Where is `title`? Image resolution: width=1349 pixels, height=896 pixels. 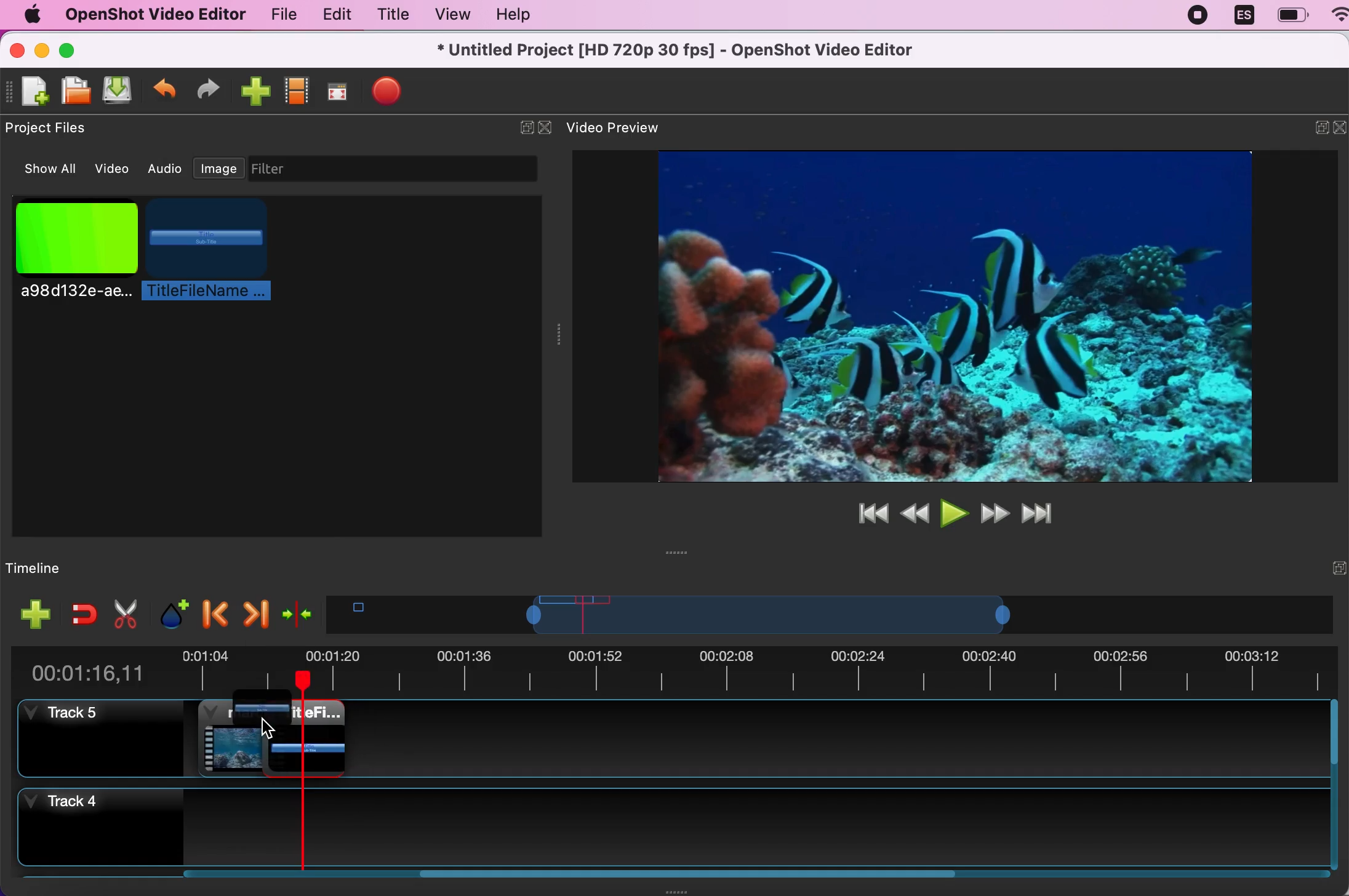
title is located at coordinates (393, 14).